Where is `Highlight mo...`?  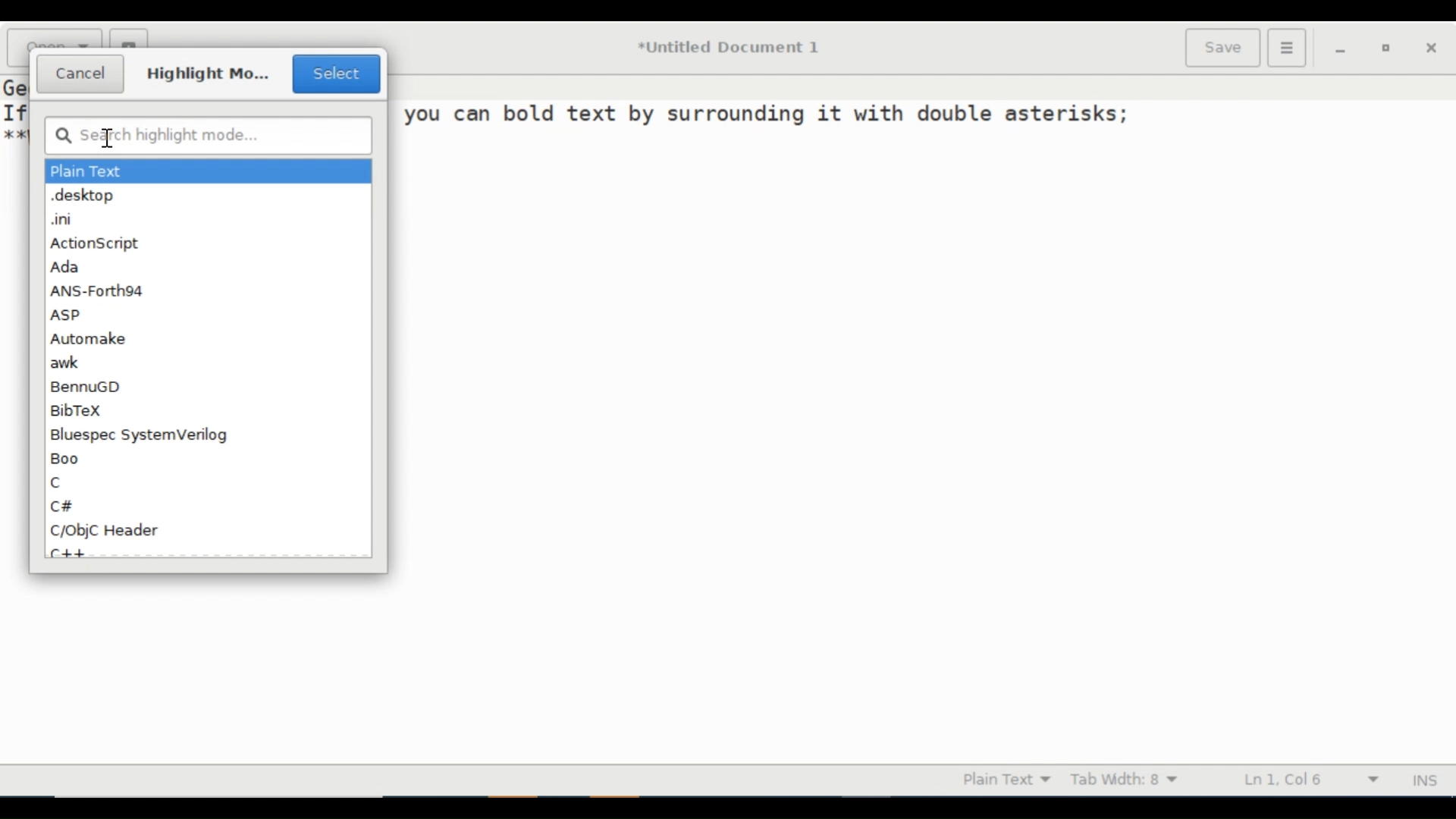 Highlight mo... is located at coordinates (209, 73).